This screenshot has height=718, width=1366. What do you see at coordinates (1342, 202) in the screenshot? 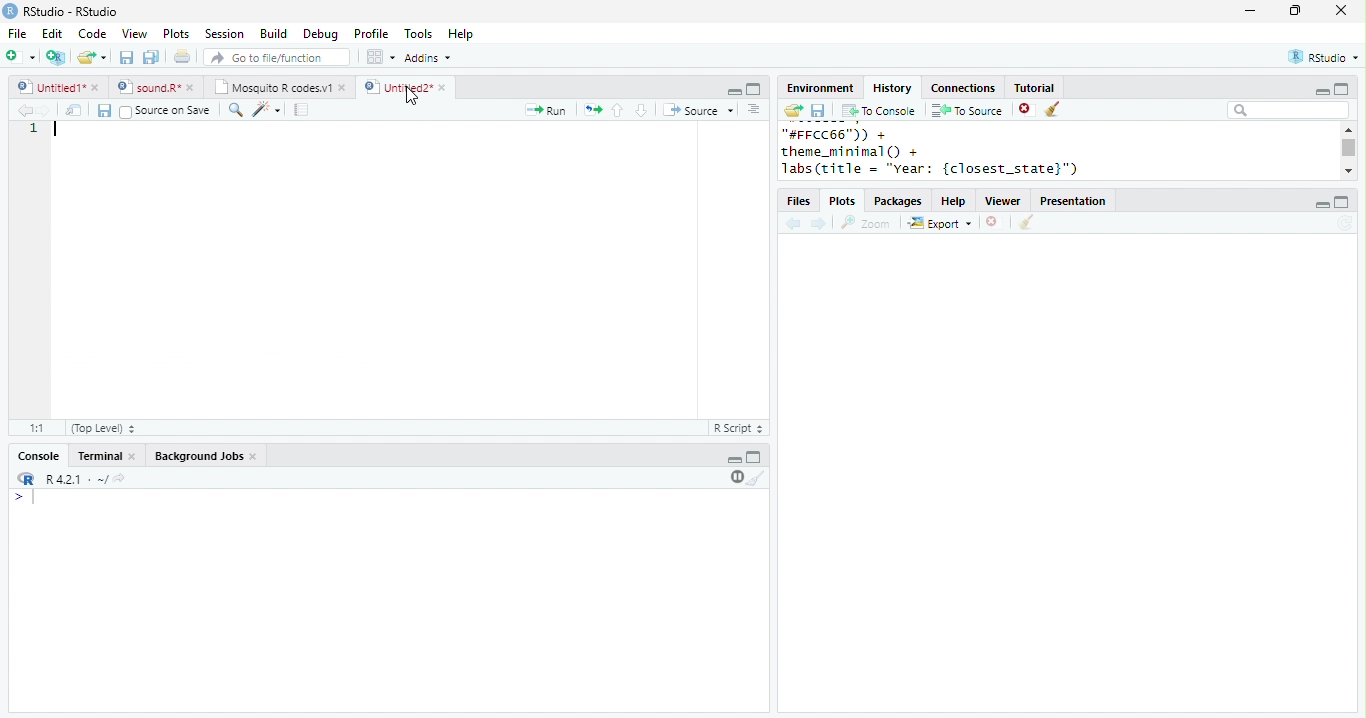
I see `maximize` at bounding box center [1342, 202].